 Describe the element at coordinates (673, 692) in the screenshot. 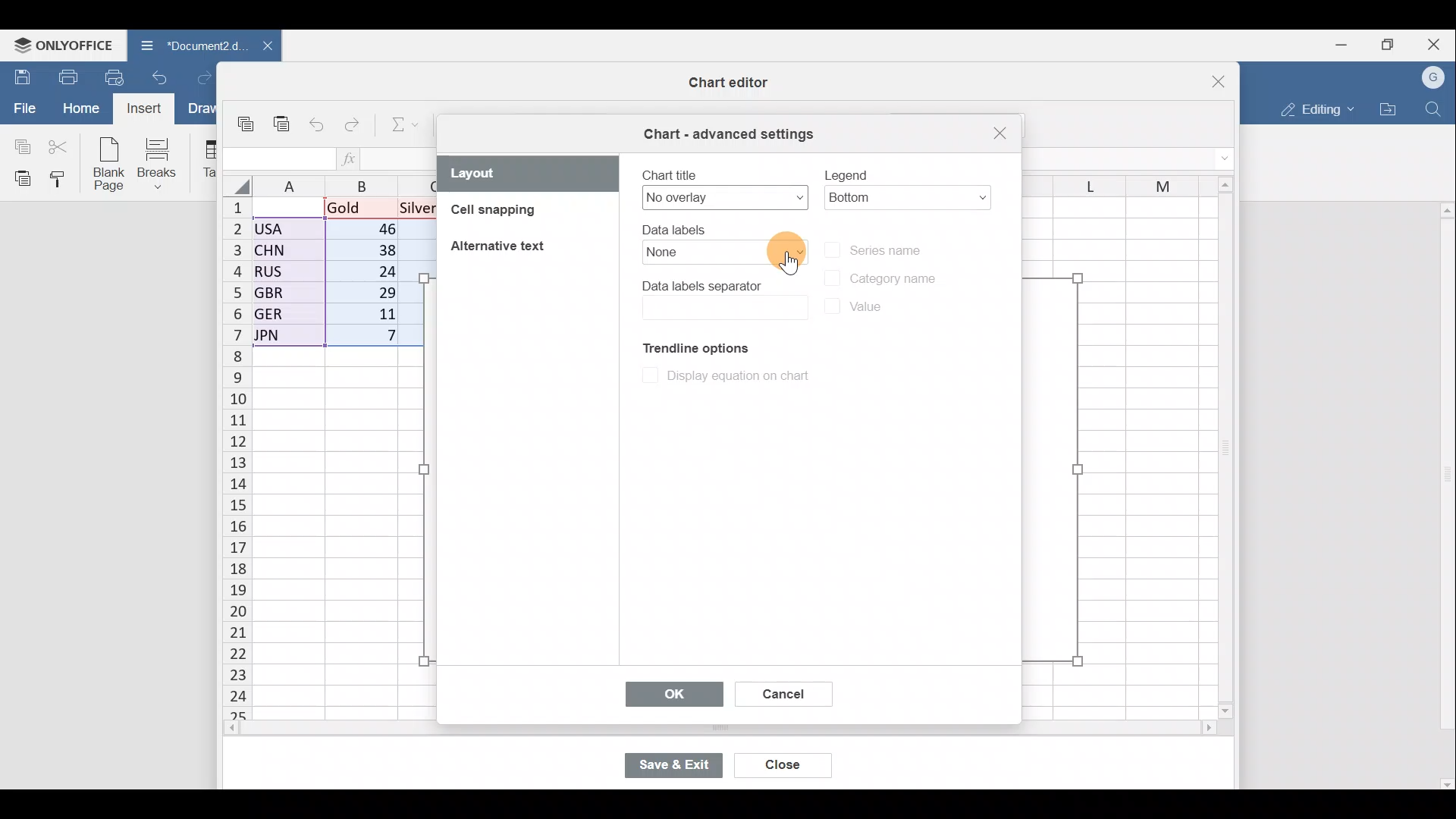

I see `OK` at that location.